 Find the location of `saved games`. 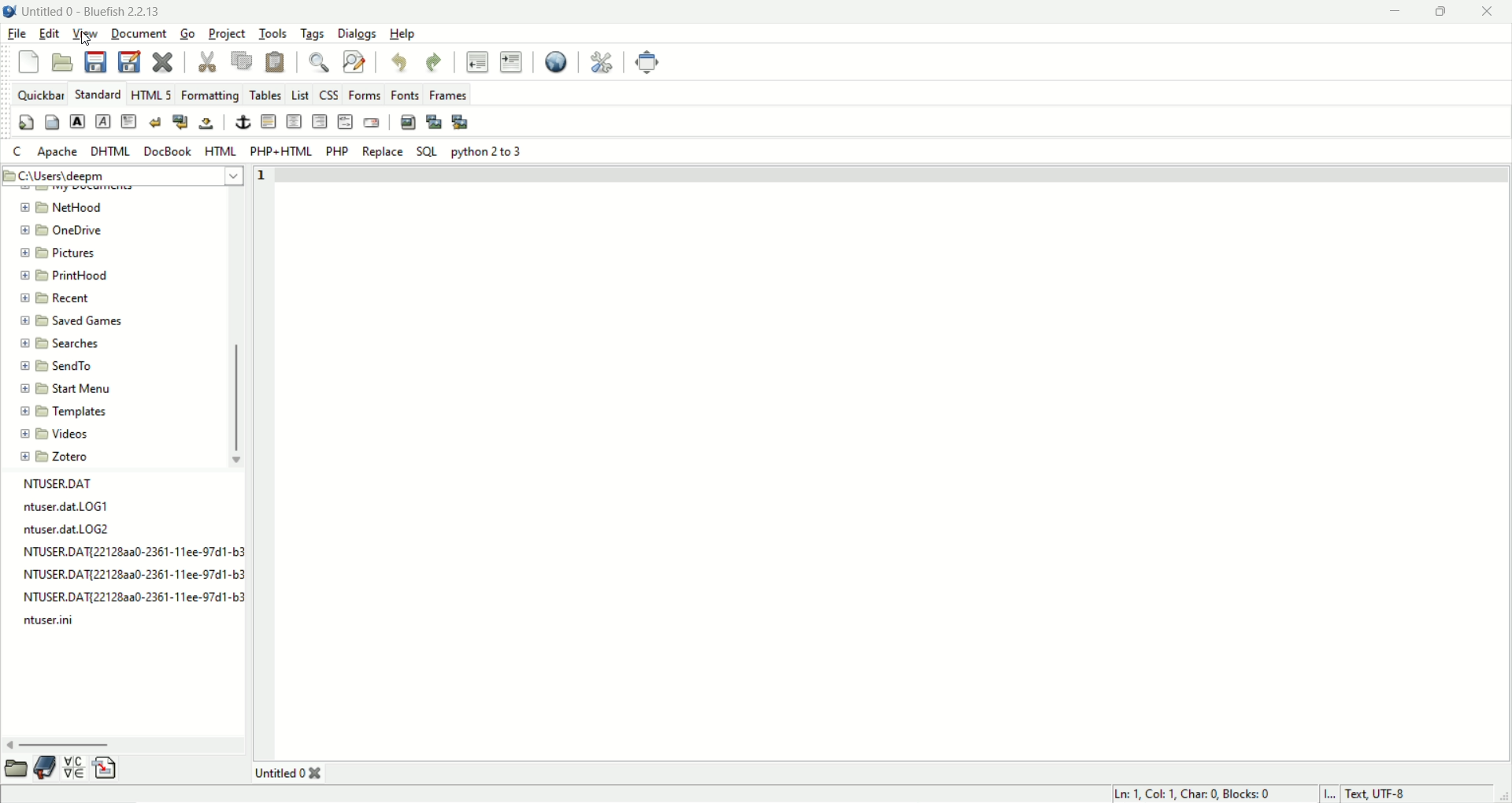

saved games is located at coordinates (80, 320).